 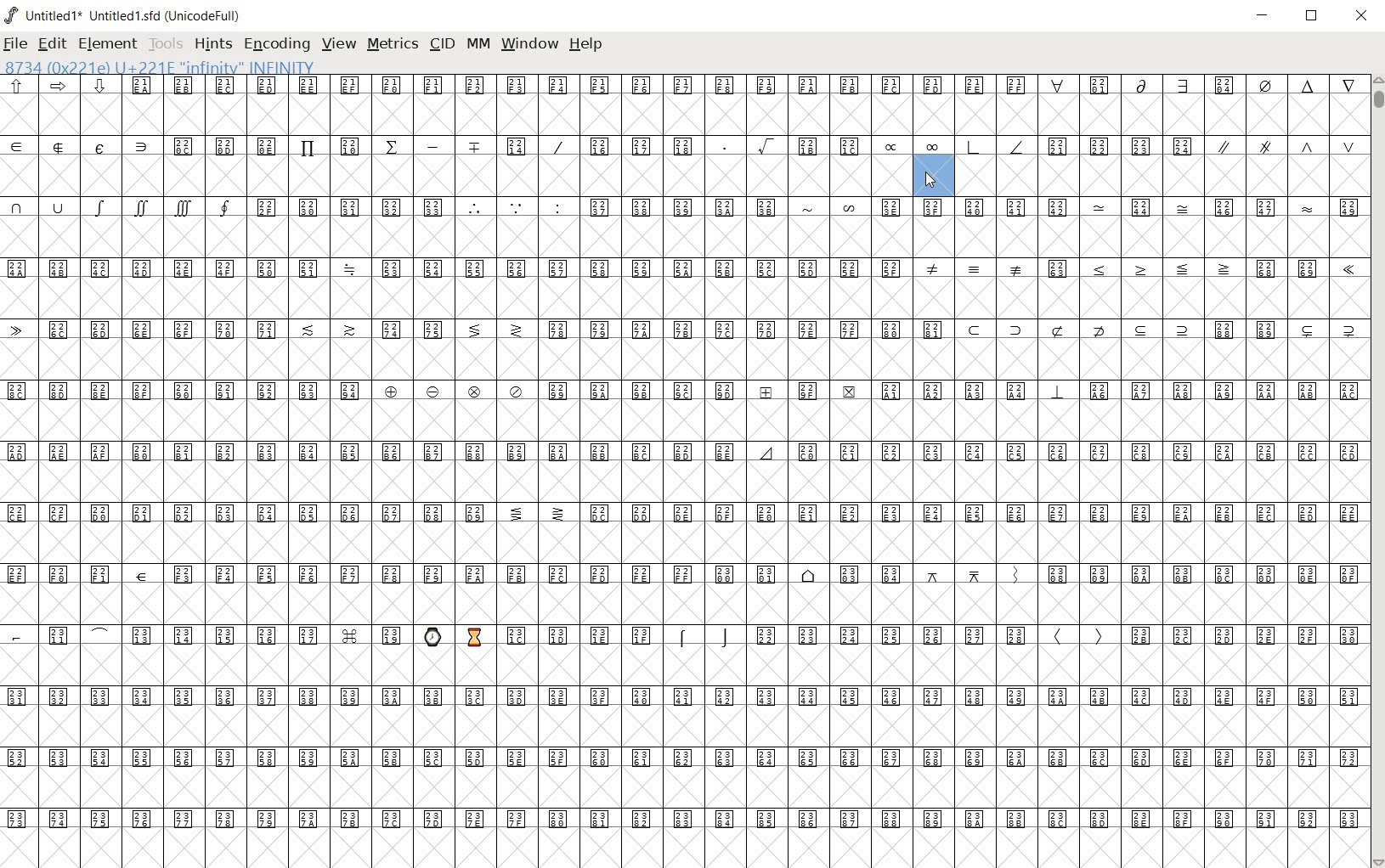 What do you see at coordinates (681, 450) in the screenshot?
I see `Unicode code points` at bounding box center [681, 450].